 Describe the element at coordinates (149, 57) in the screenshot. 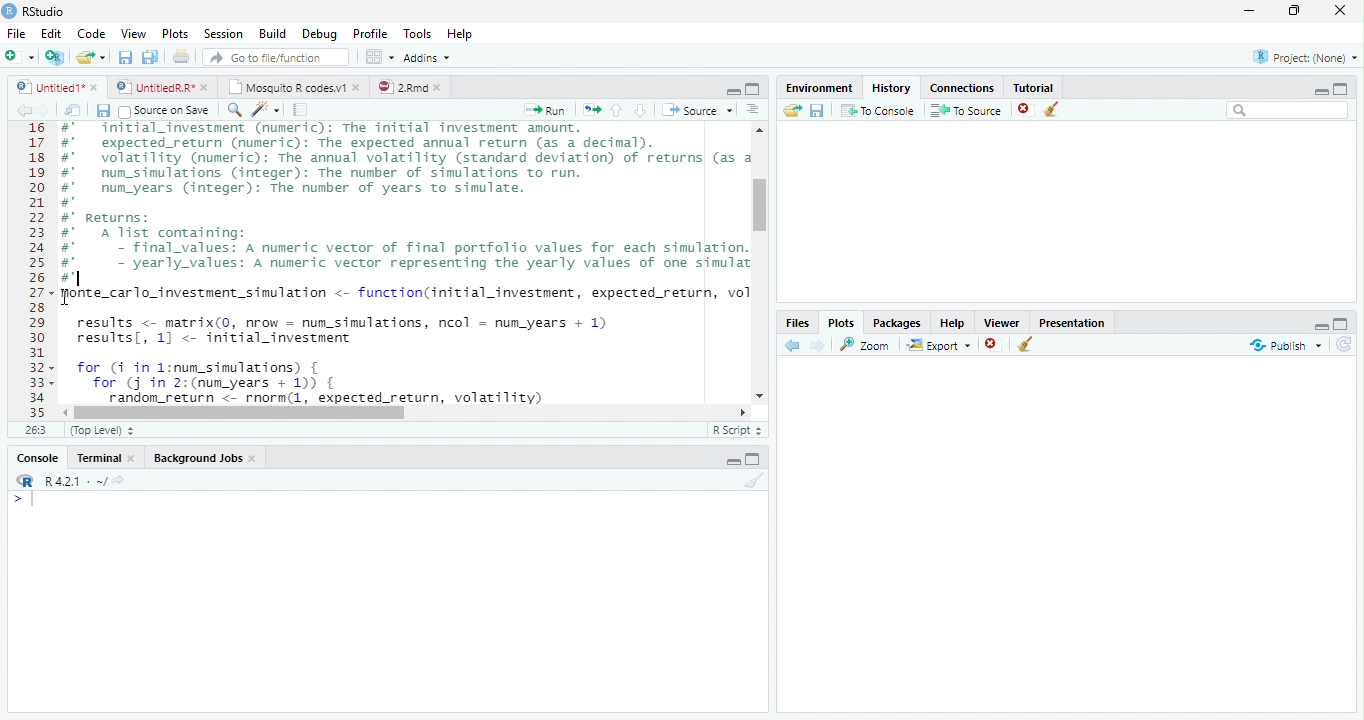

I see `Save all open files` at that location.